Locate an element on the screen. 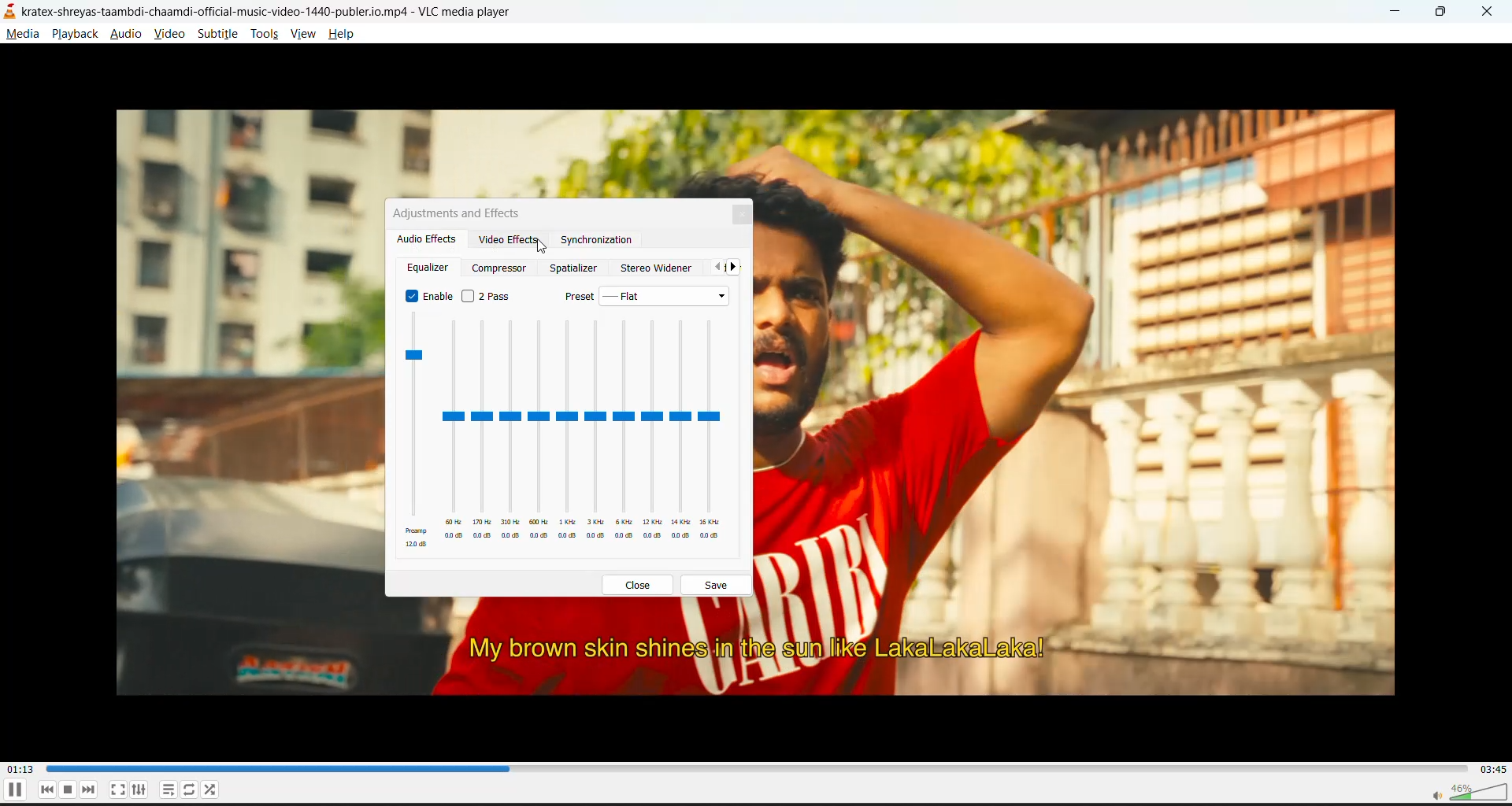  next is located at coordinates (737, 269).